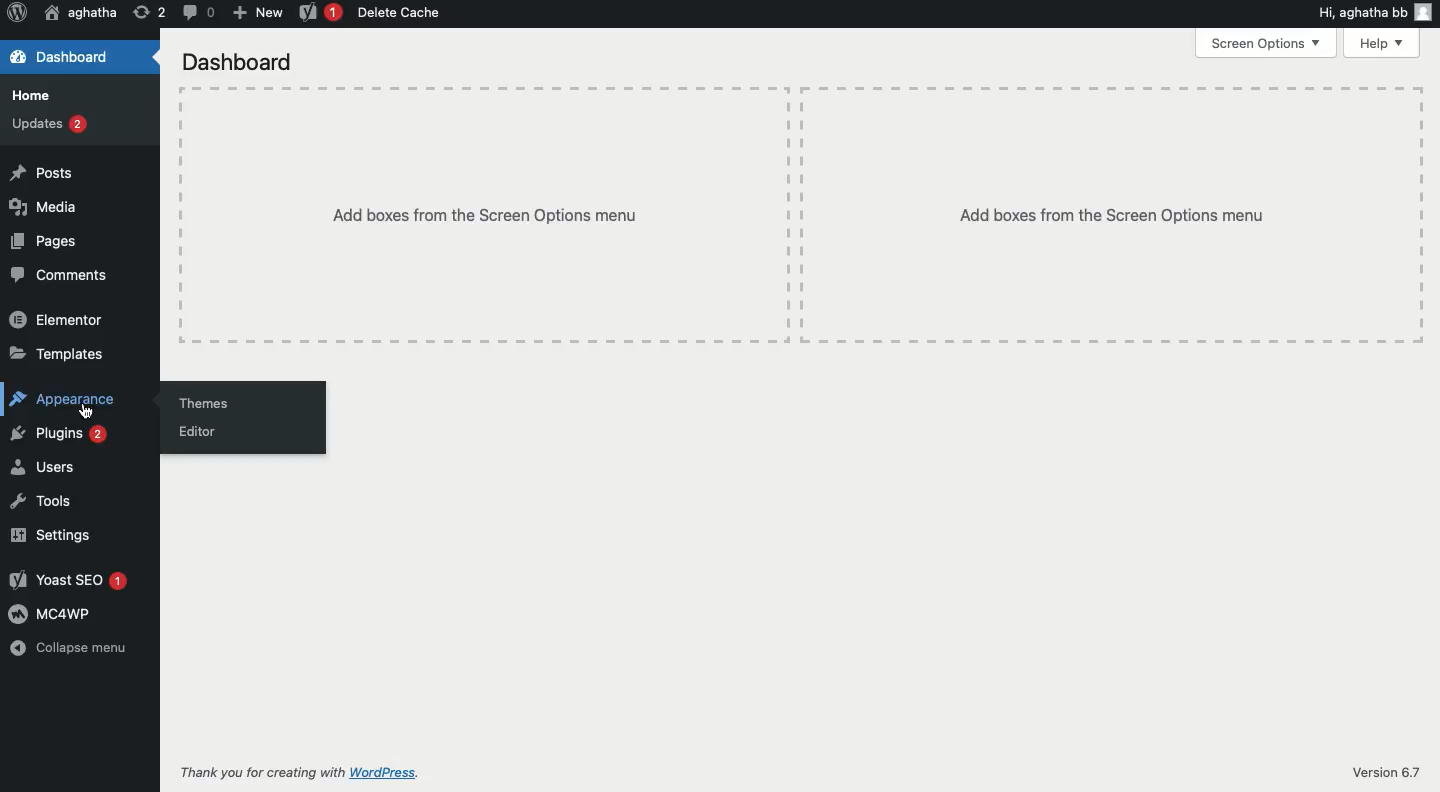 The image size is (1440, 792). I want to click on MC4WP, so click(53, 615).